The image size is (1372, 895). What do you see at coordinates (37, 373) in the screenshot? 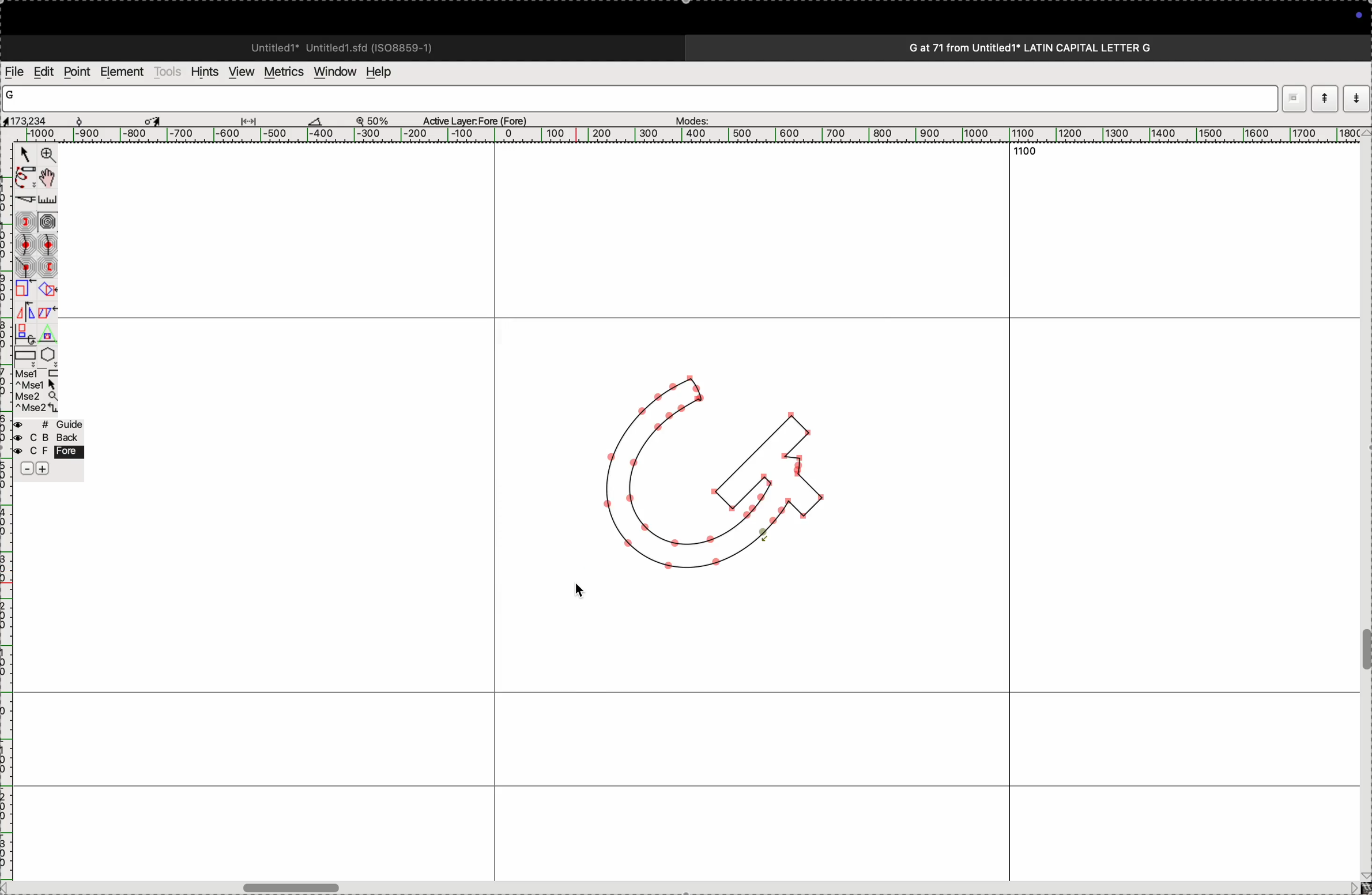
I see `left mouse button` at bounding box center [37, 373].